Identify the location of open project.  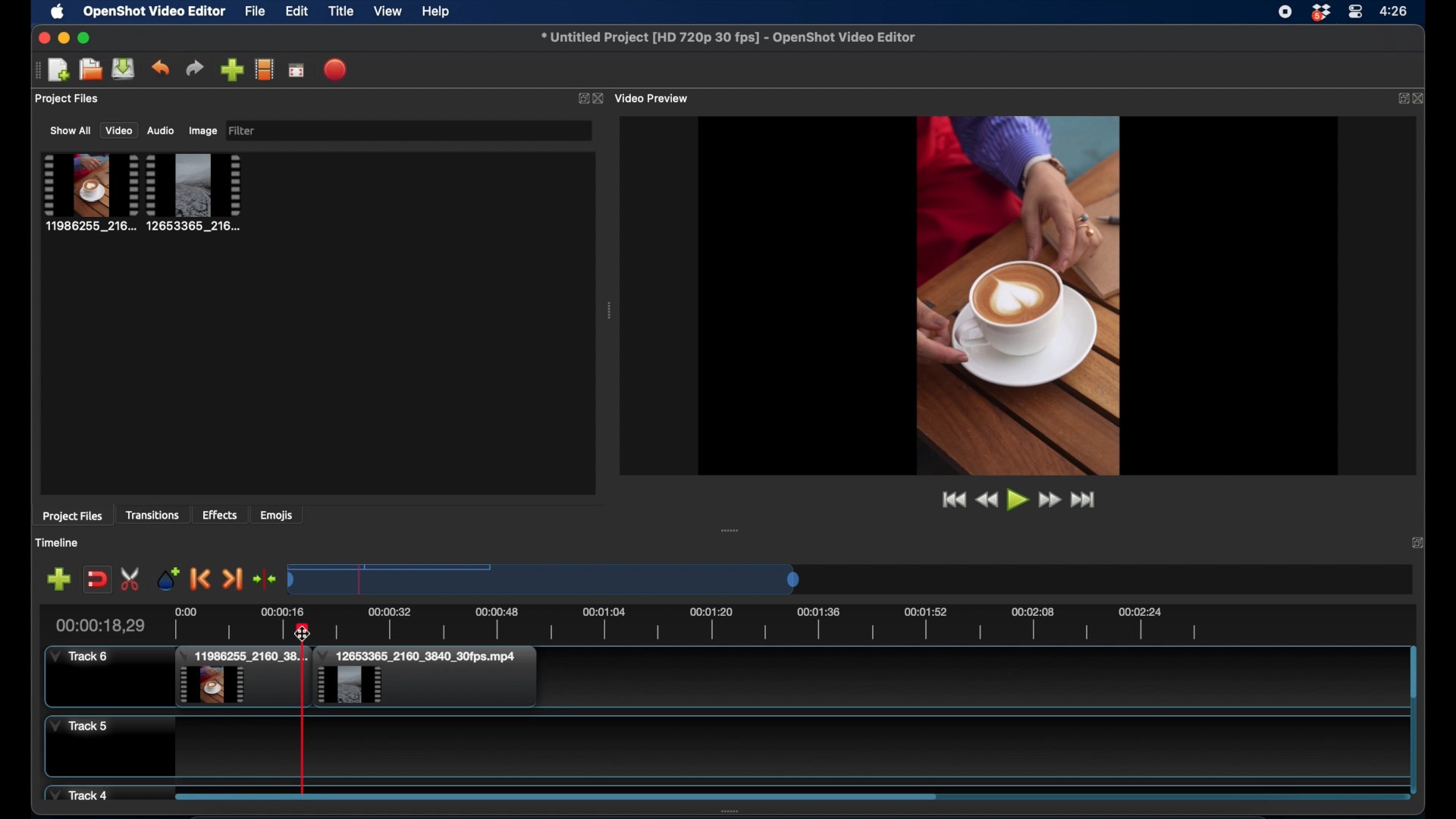
(58, 71).